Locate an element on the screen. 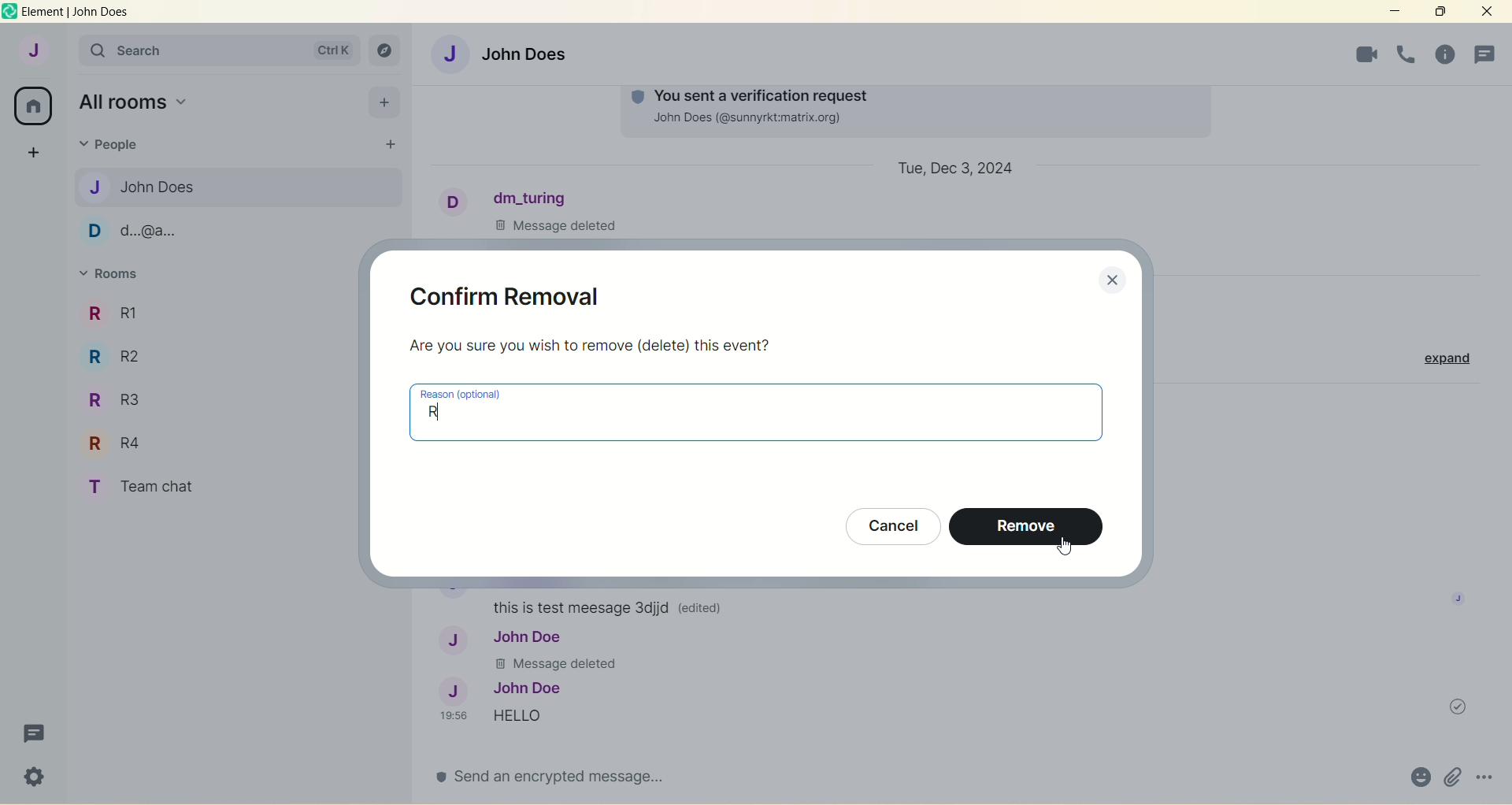 The width and height of the screenshot is (1512, 805). all rooms is located at coordinates (135, 102).